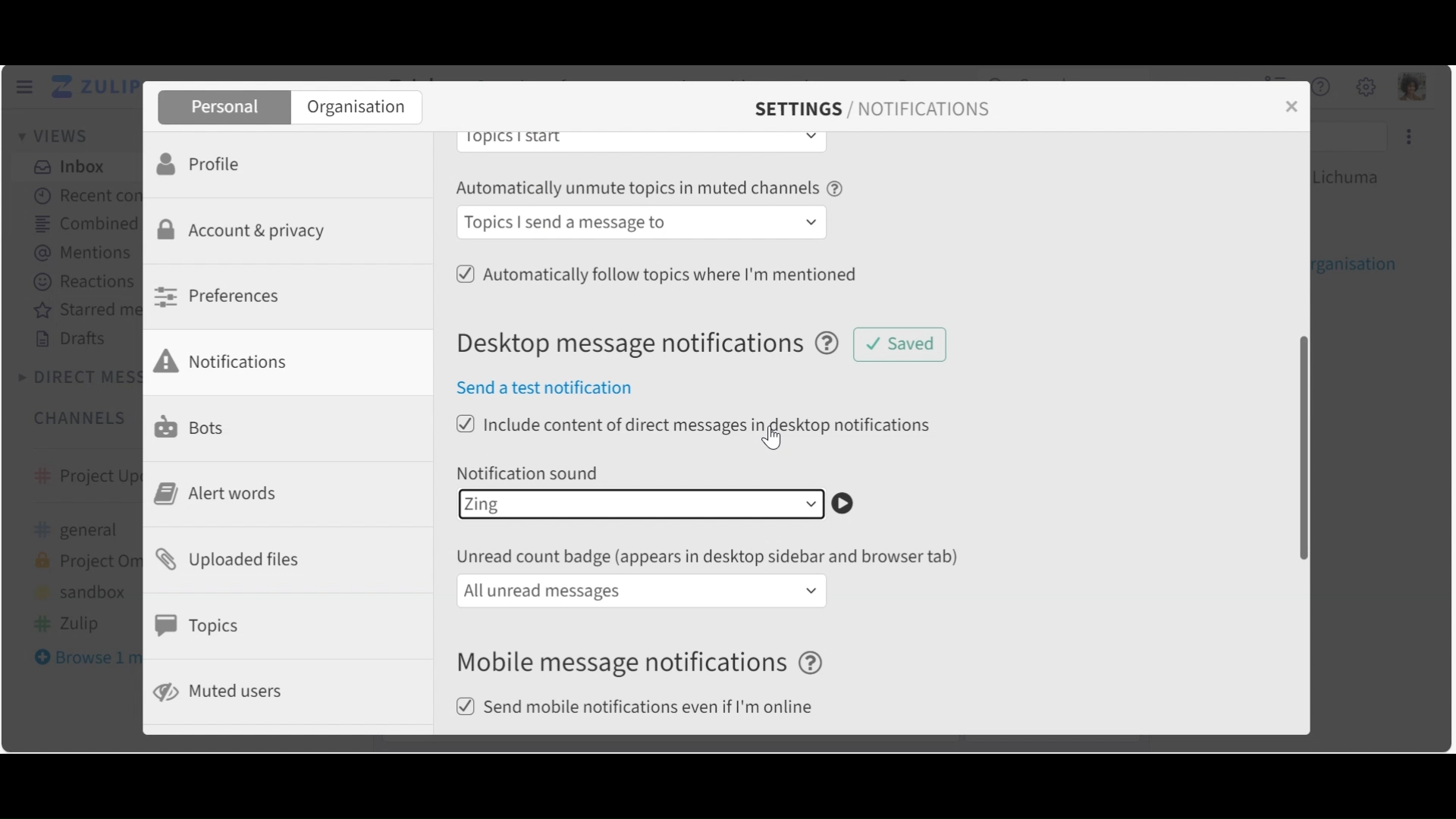 The image size is (1456, 819). I want to click on cursor, so click(770, 436).